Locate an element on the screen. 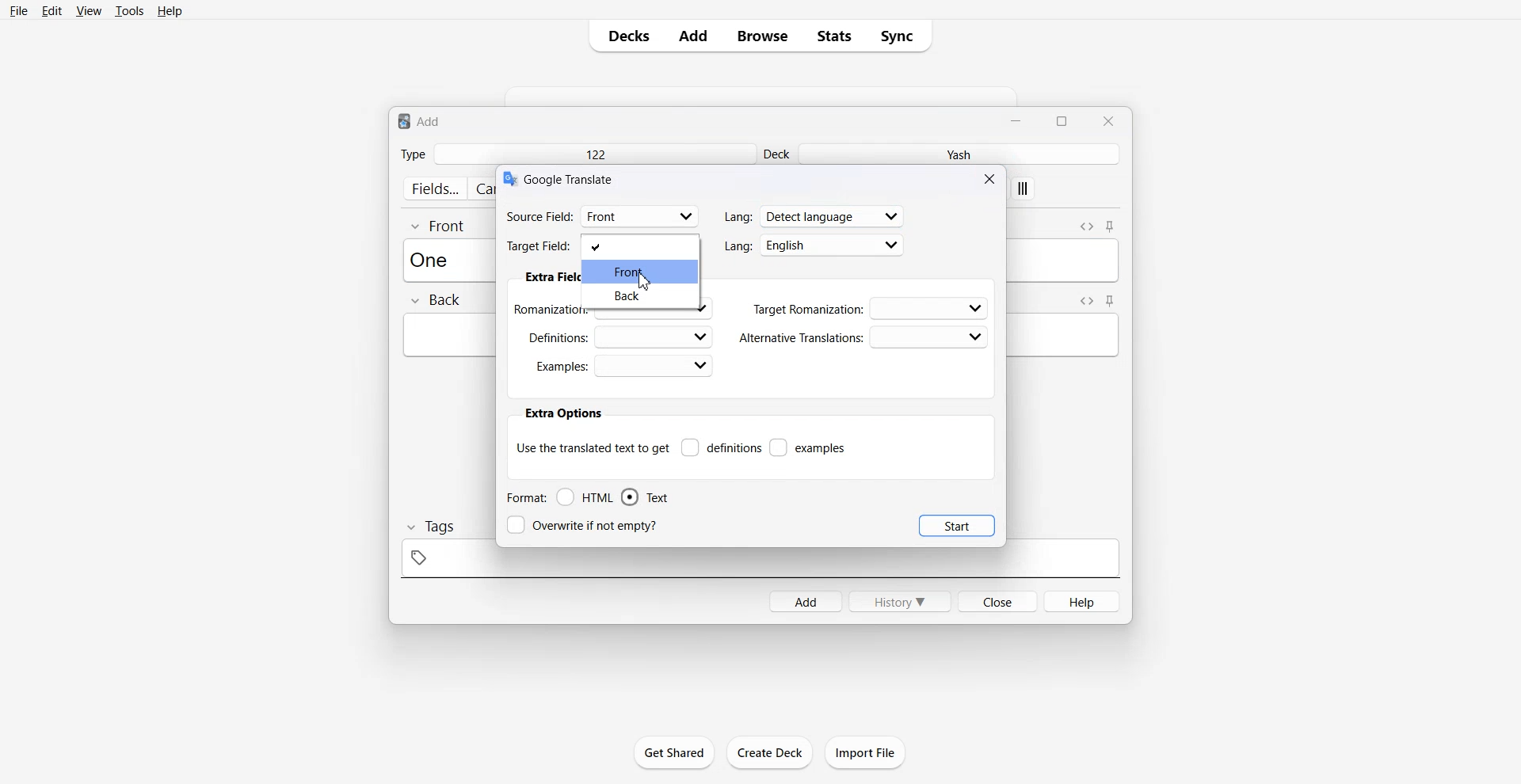  Import File is located at coordinates (866, 752).